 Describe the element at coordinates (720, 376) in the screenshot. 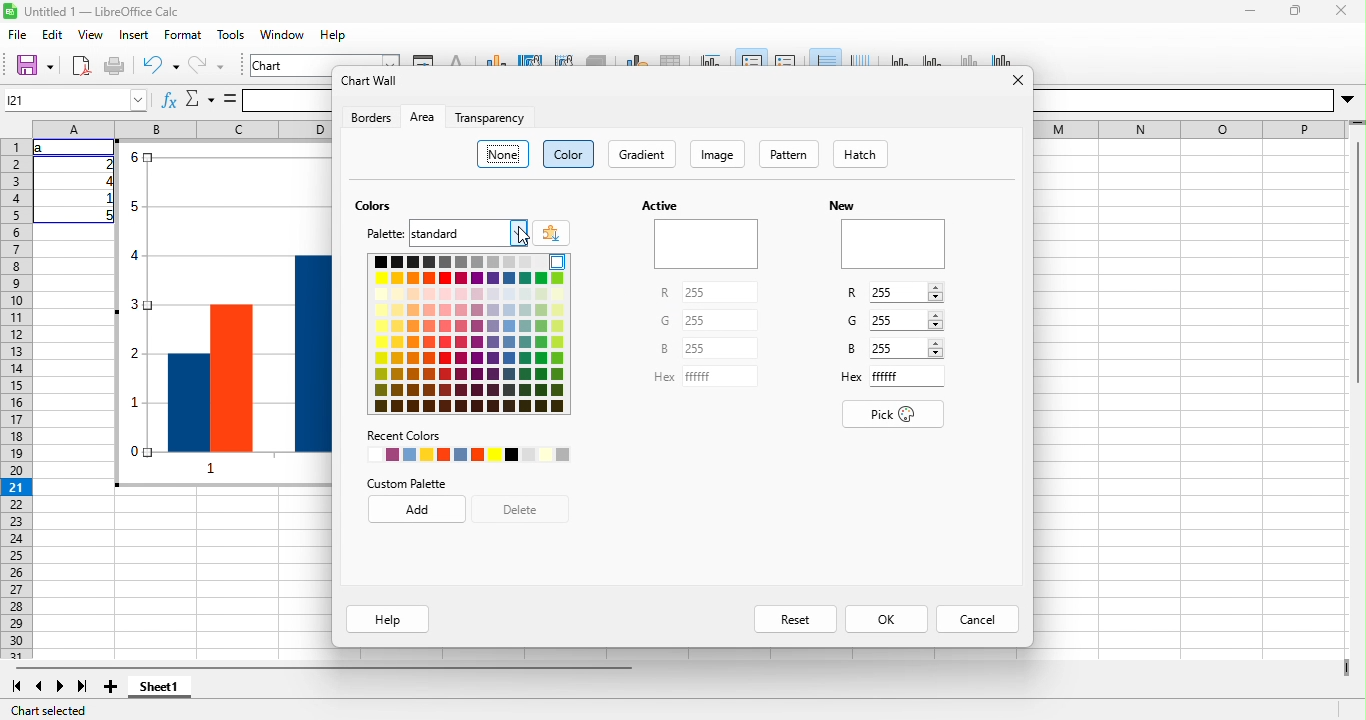

I see `Input for Hex` at that location.